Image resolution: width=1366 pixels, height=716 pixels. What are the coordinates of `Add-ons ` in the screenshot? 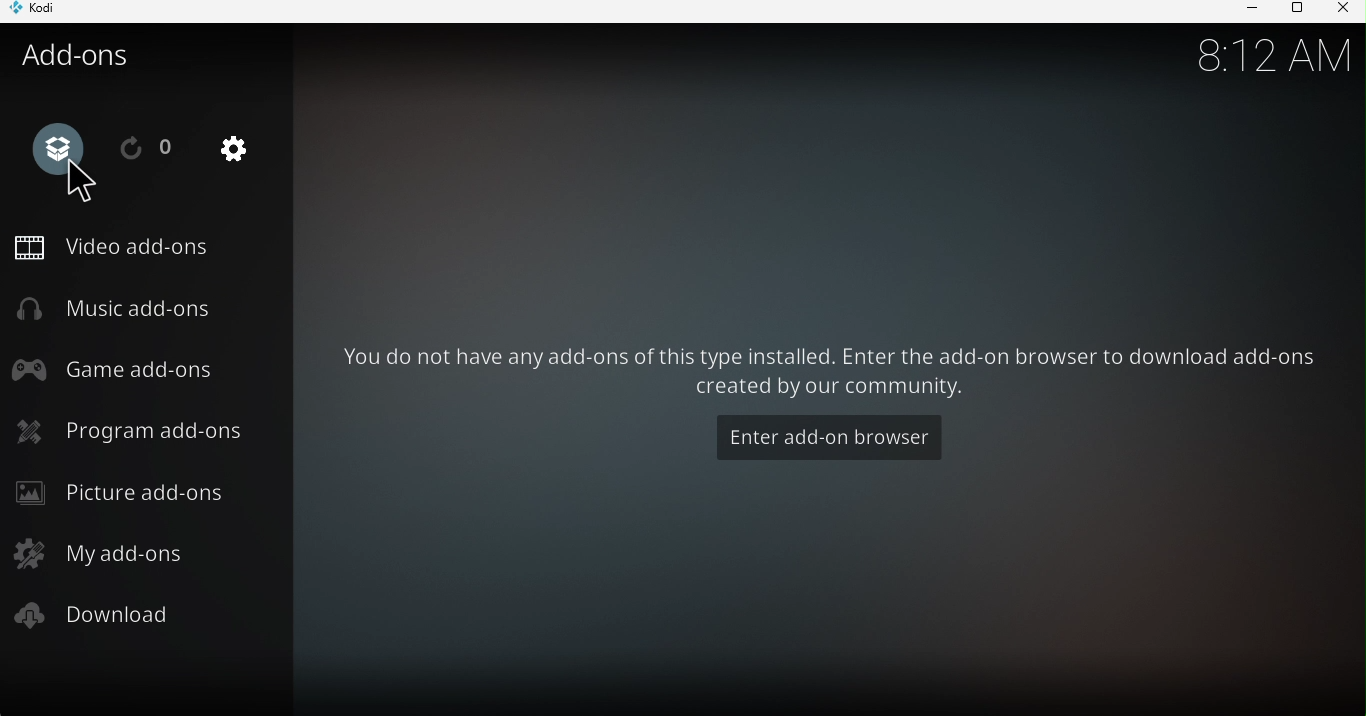 It's located at (86, 56).